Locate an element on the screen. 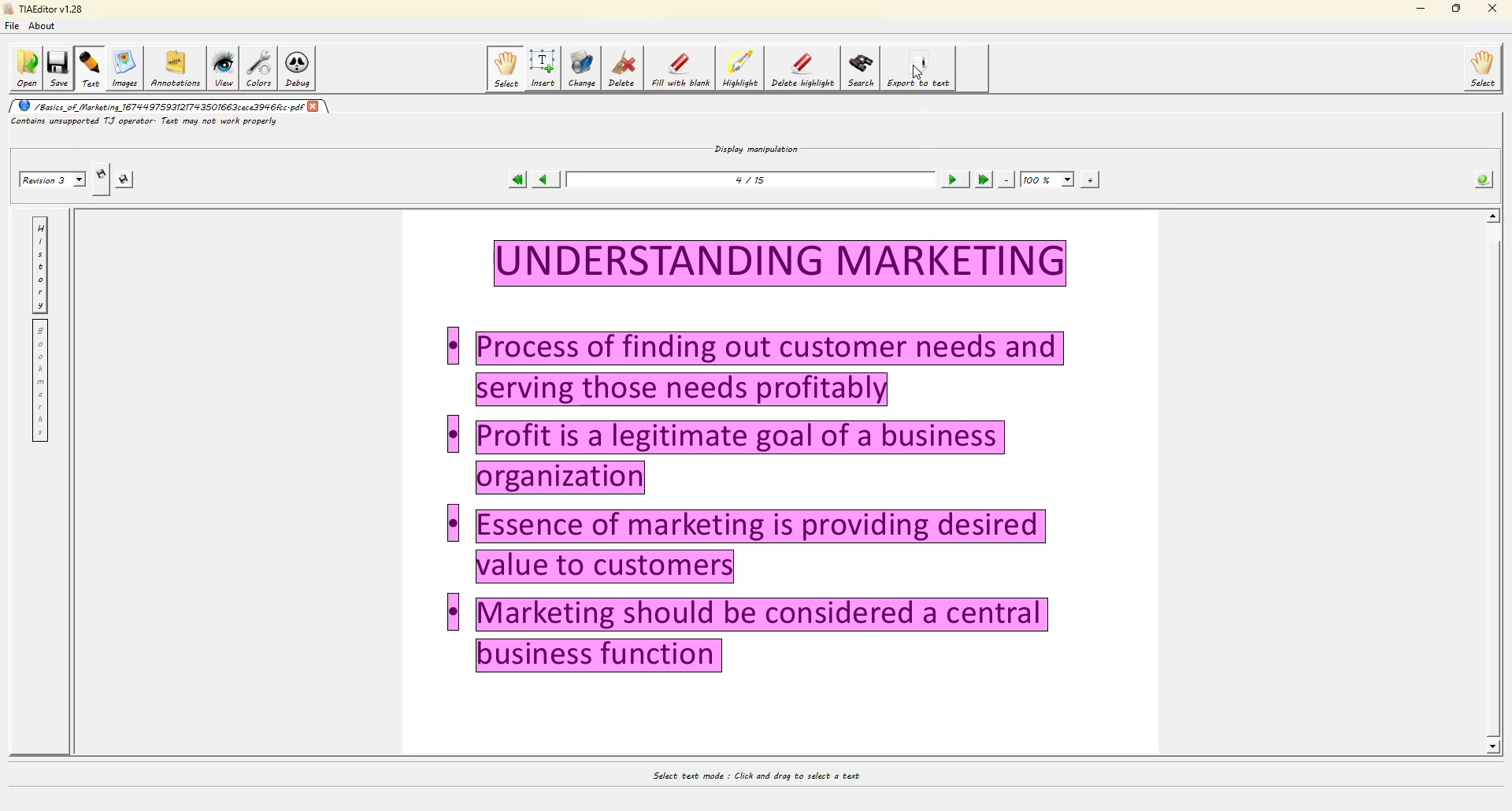   is located at coordinates (454, 431).